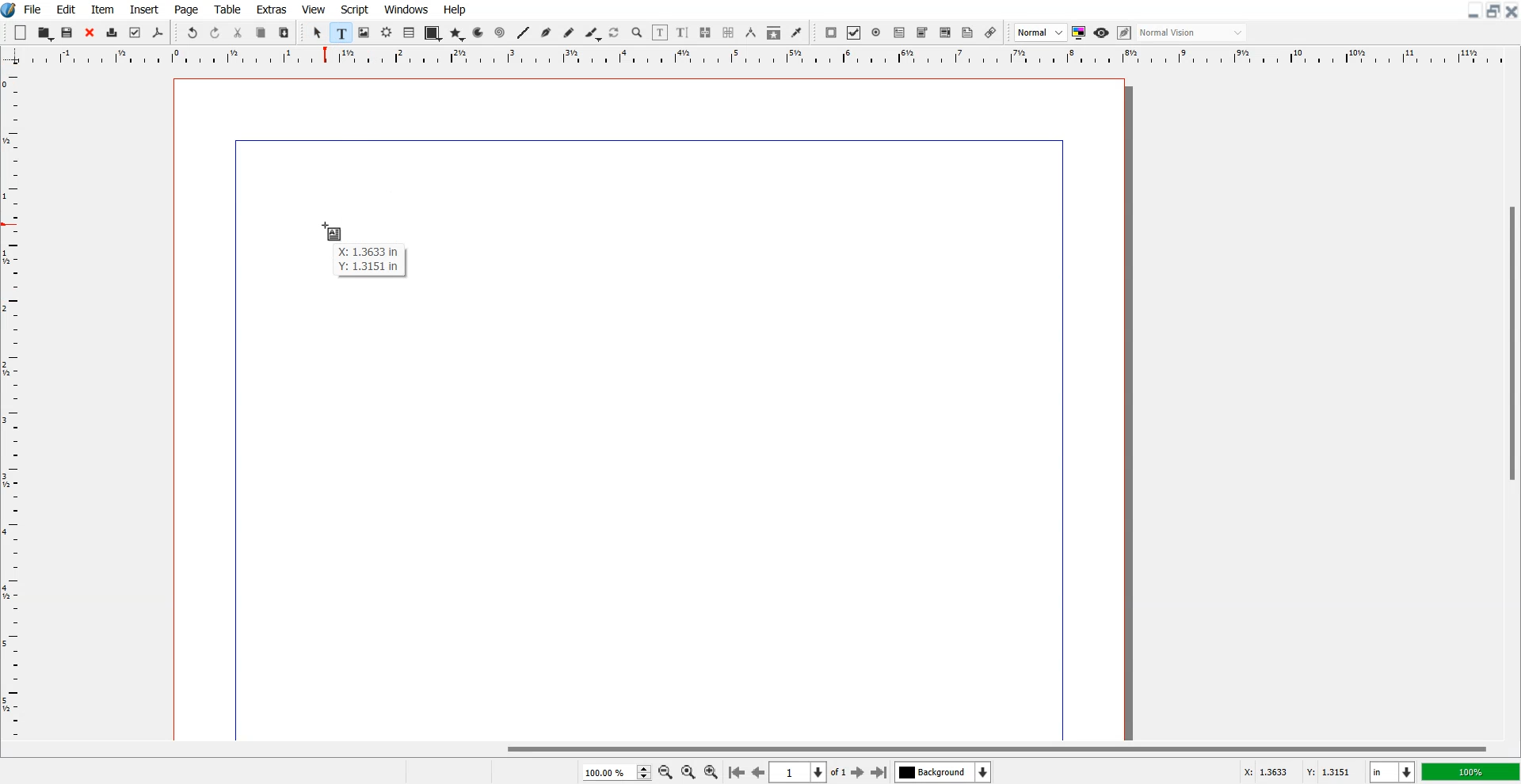 Image resolution: width=1521 pixels, height=784 pixels. What do you see at coordinates (729, 33) in the screenshot?
I see `Unlink text Frame` at bounding box center [729, 33].